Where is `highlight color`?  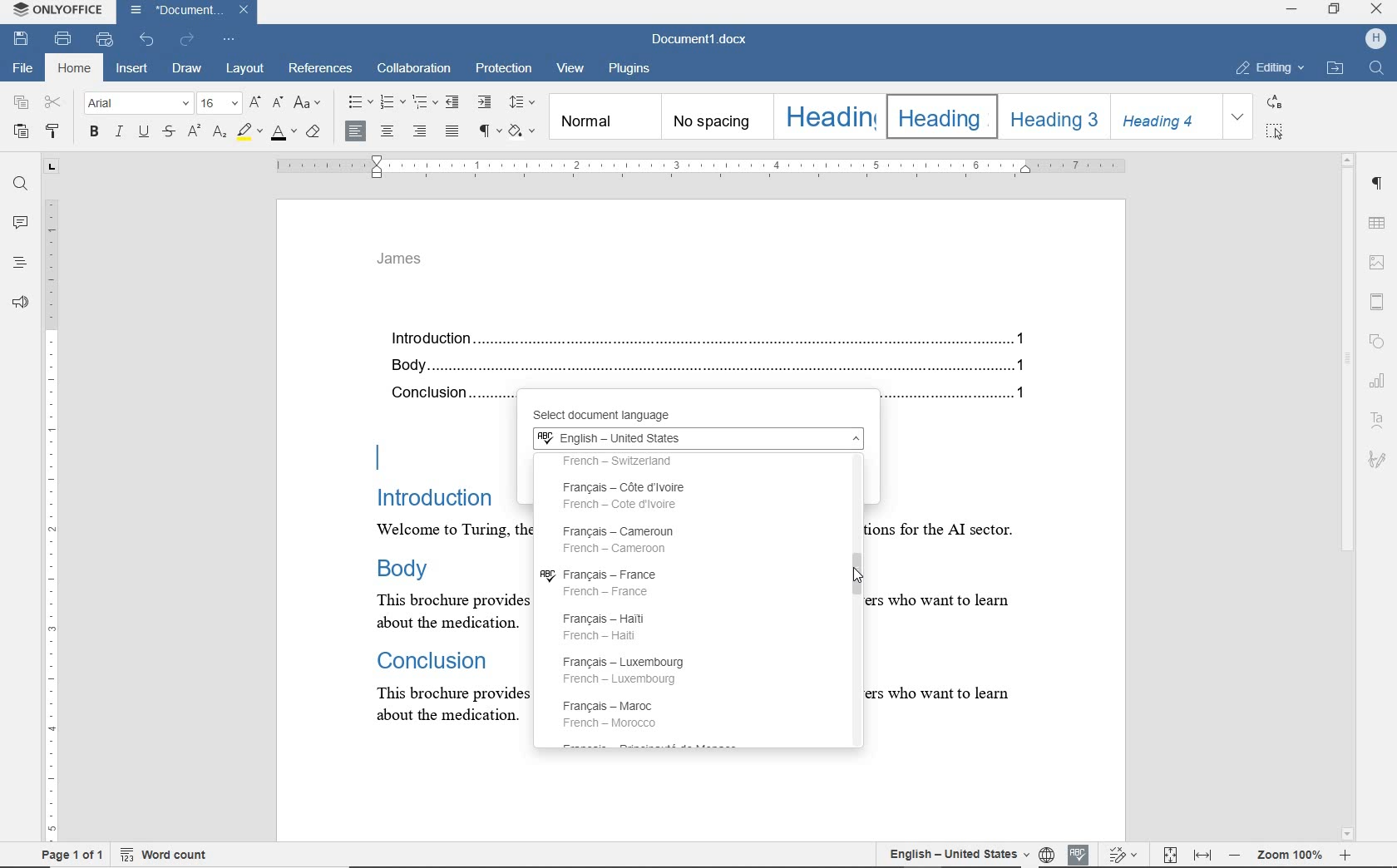
highlight color is located at coordinates (249, 132).